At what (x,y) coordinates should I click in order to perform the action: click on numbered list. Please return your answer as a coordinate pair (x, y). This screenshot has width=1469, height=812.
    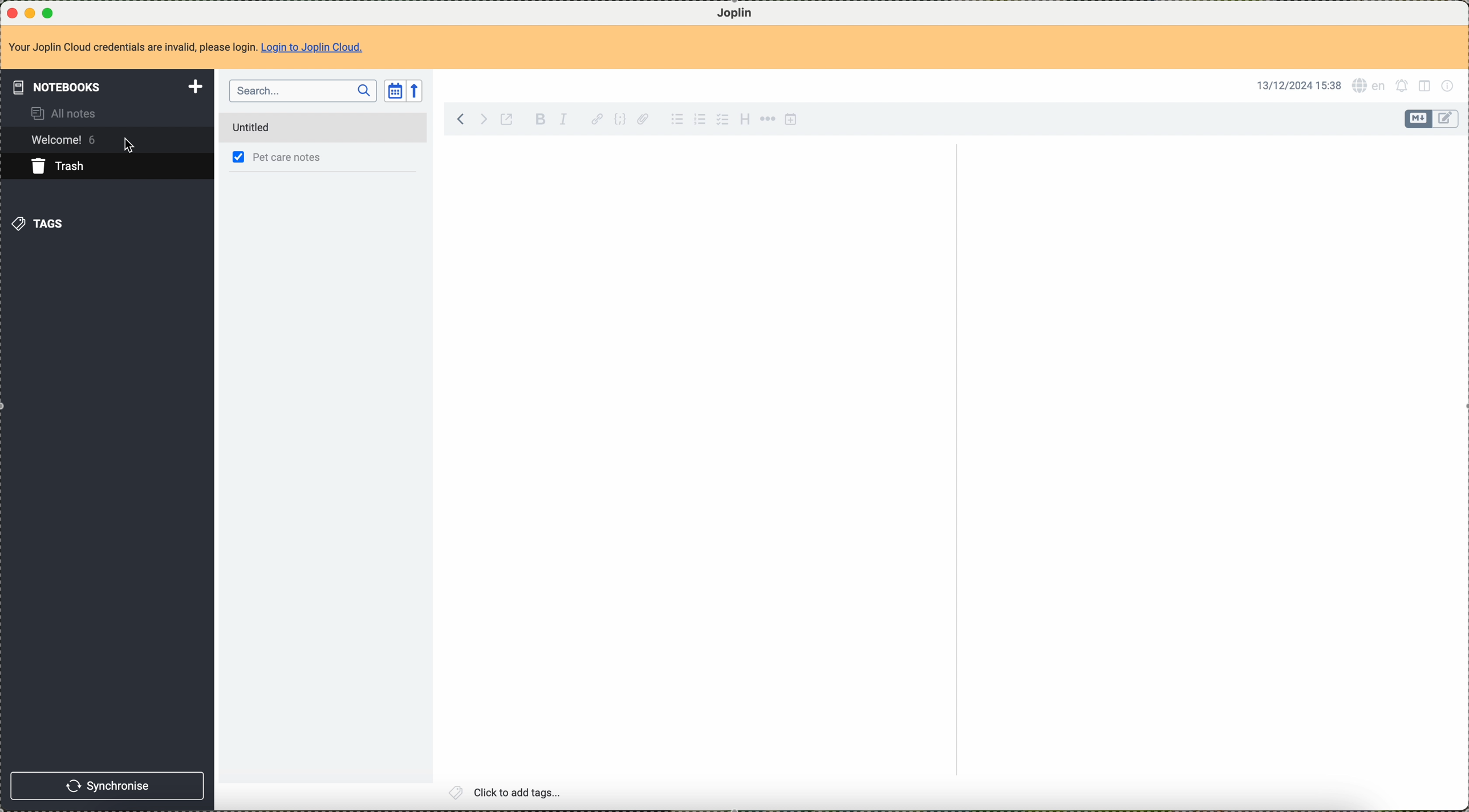
    Looking at the image, I should click on (699, 120).